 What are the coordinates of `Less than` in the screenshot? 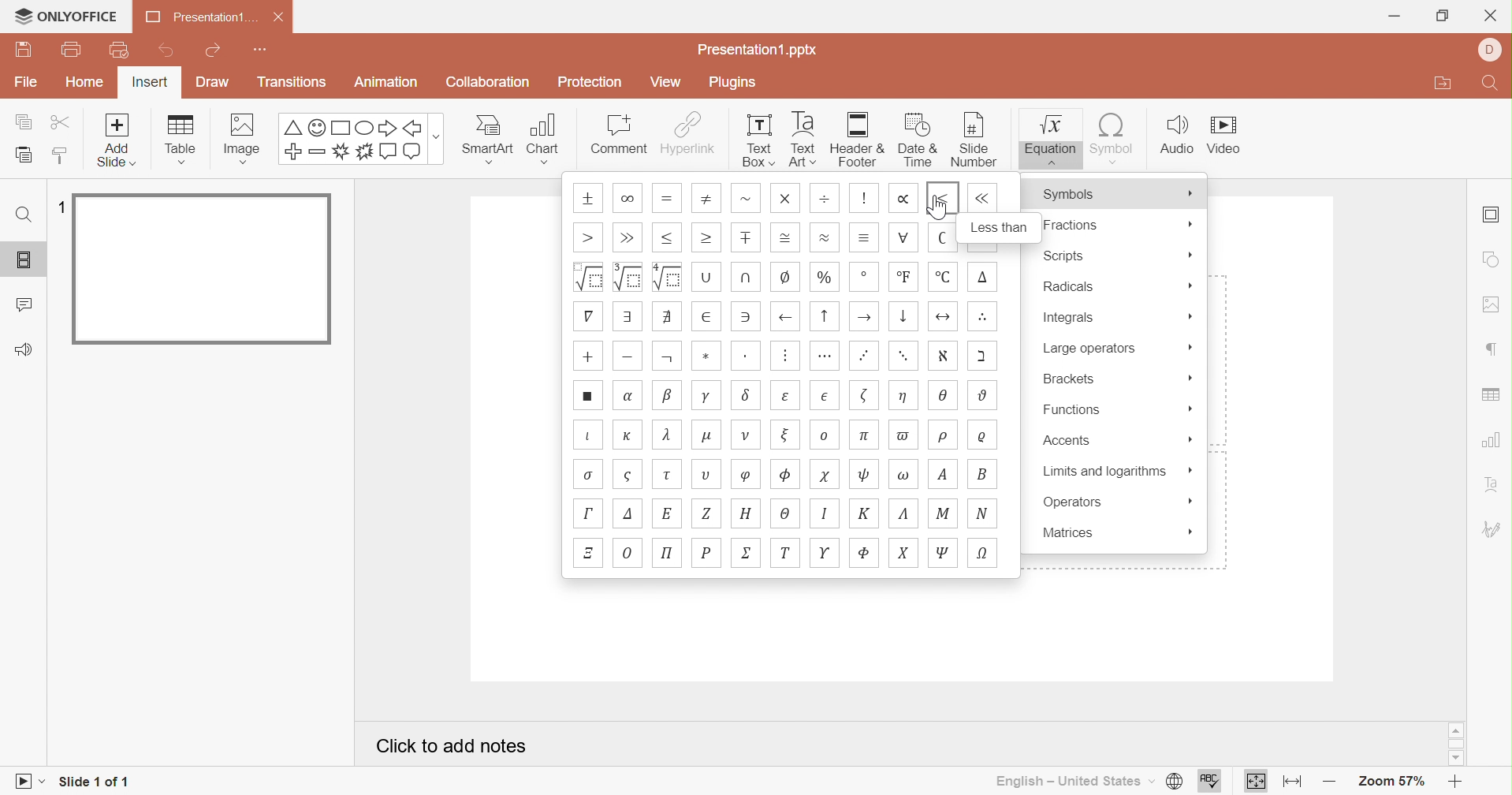 It's located at (995, 231).